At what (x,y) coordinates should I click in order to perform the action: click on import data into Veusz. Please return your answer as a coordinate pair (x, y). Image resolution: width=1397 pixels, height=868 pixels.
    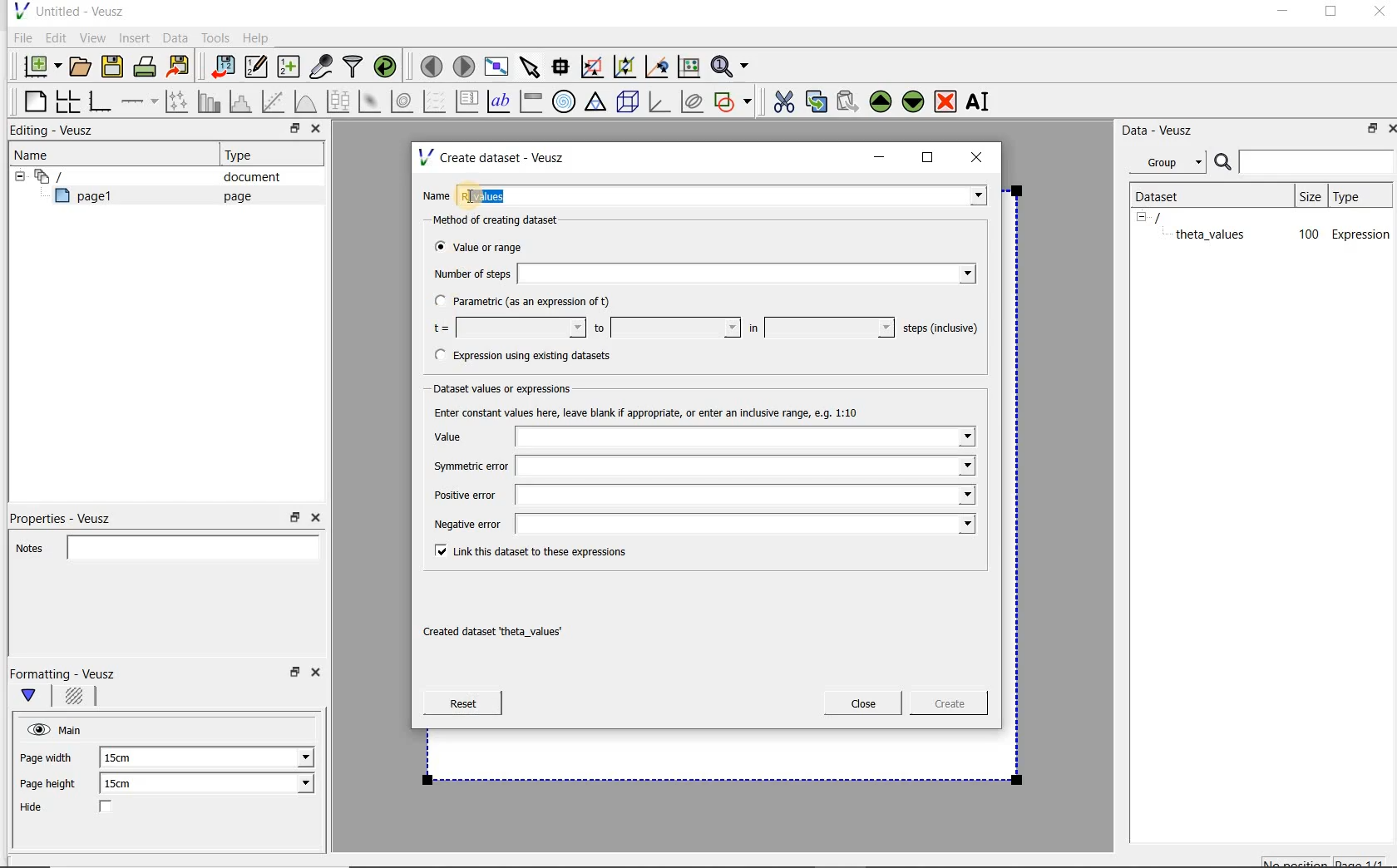
    Looking at the image, I should click on (221, 67).